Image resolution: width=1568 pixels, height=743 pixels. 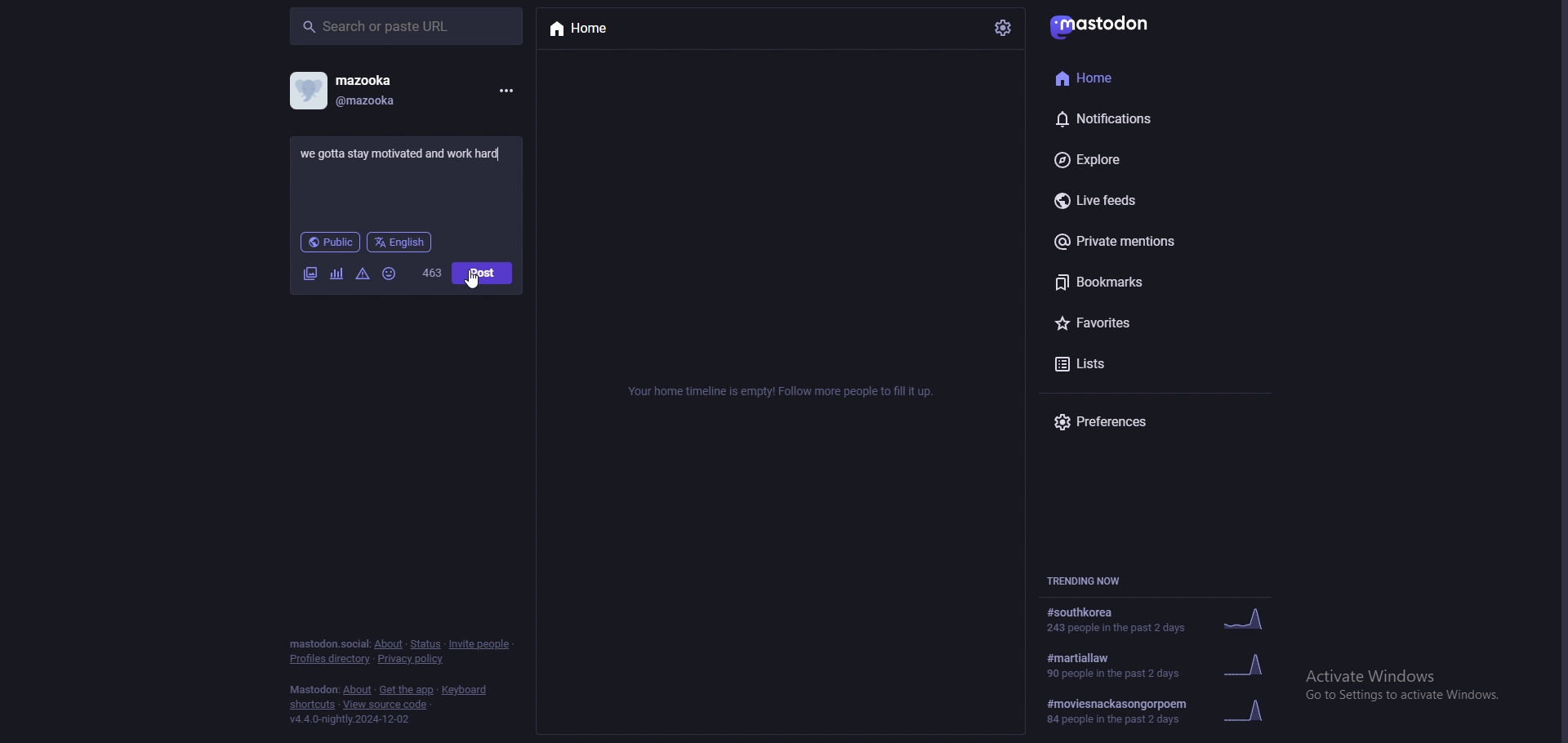 I want to click on info, so click(x=777, y=394).